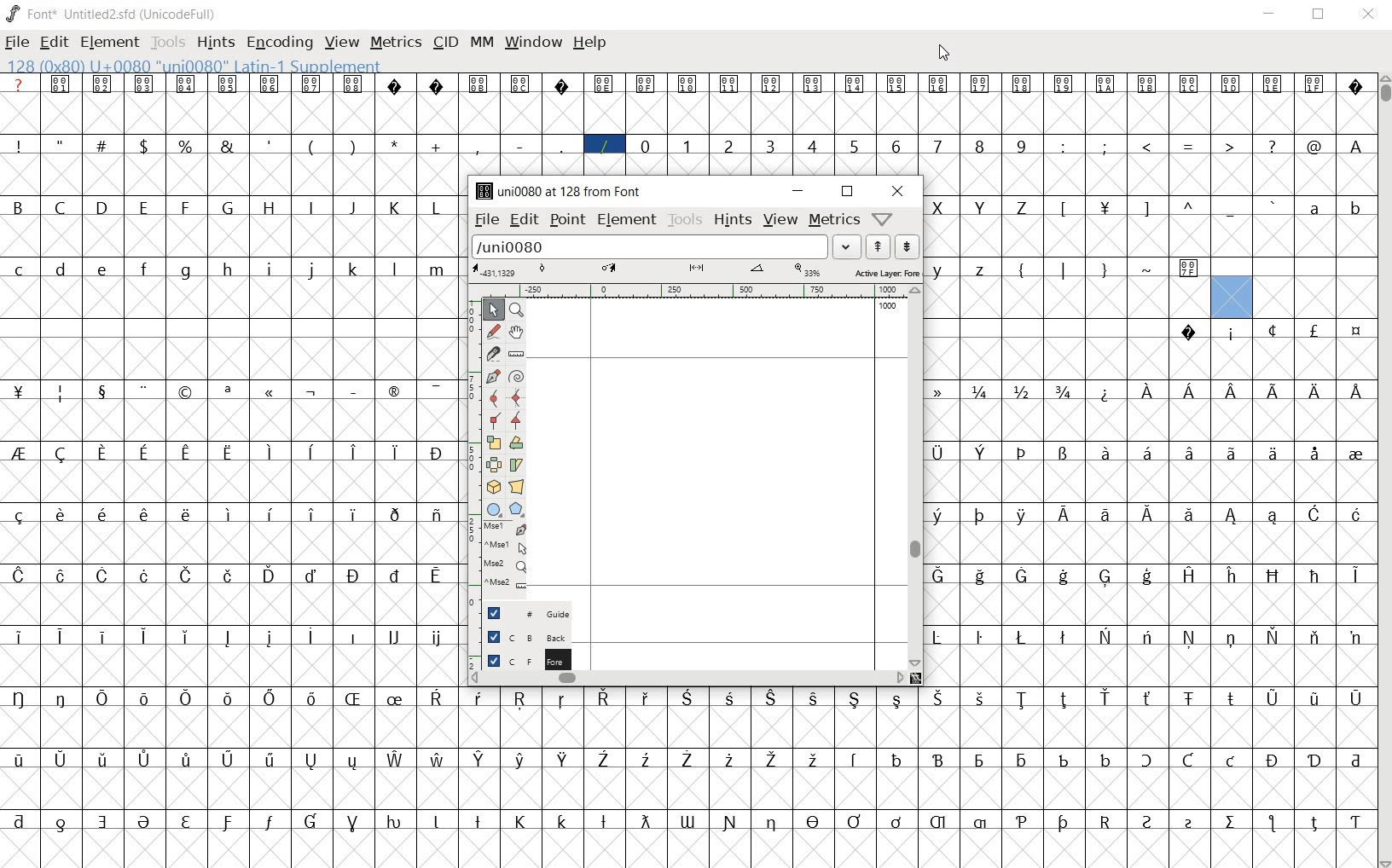 The width and height of the screenshot is (1392, 868). What do you see at coordinates (1189, 391) in the screenshot?
I see `glyph` at bounding box center [1189, 391].